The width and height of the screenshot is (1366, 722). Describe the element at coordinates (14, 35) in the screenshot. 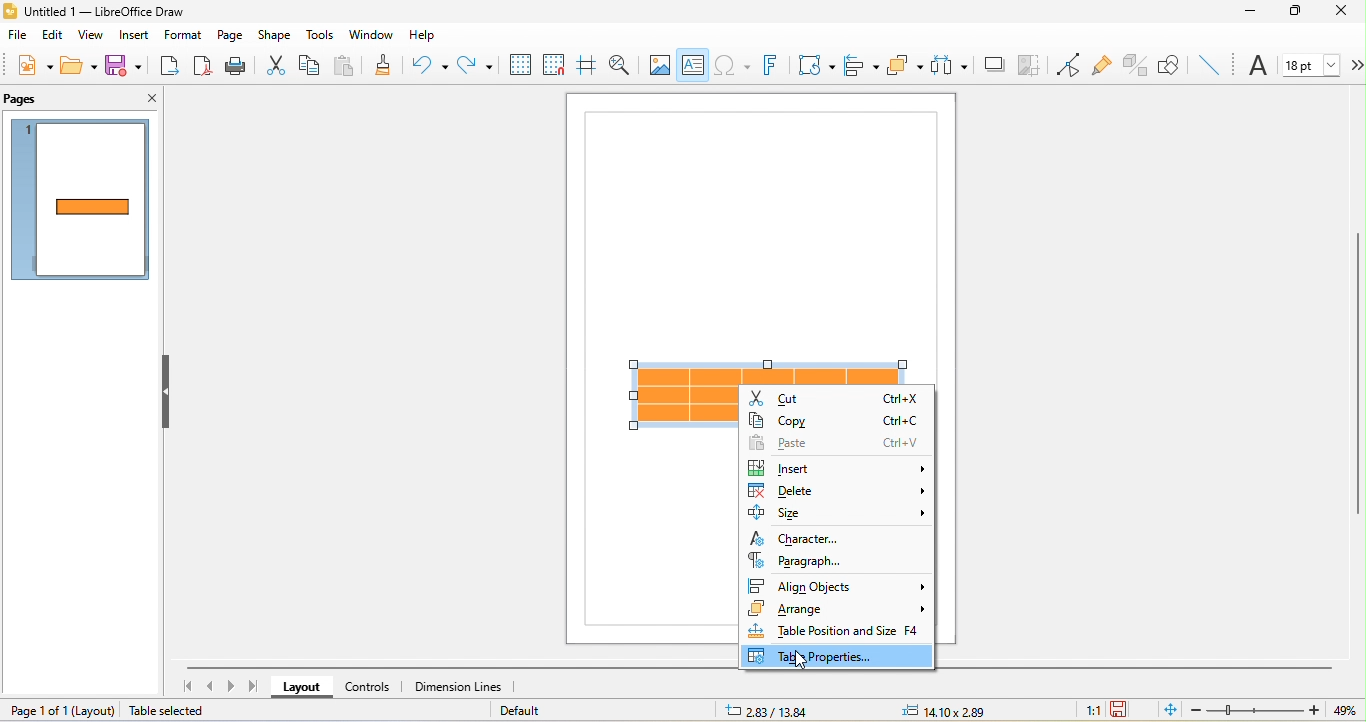

I see `file` at that location.